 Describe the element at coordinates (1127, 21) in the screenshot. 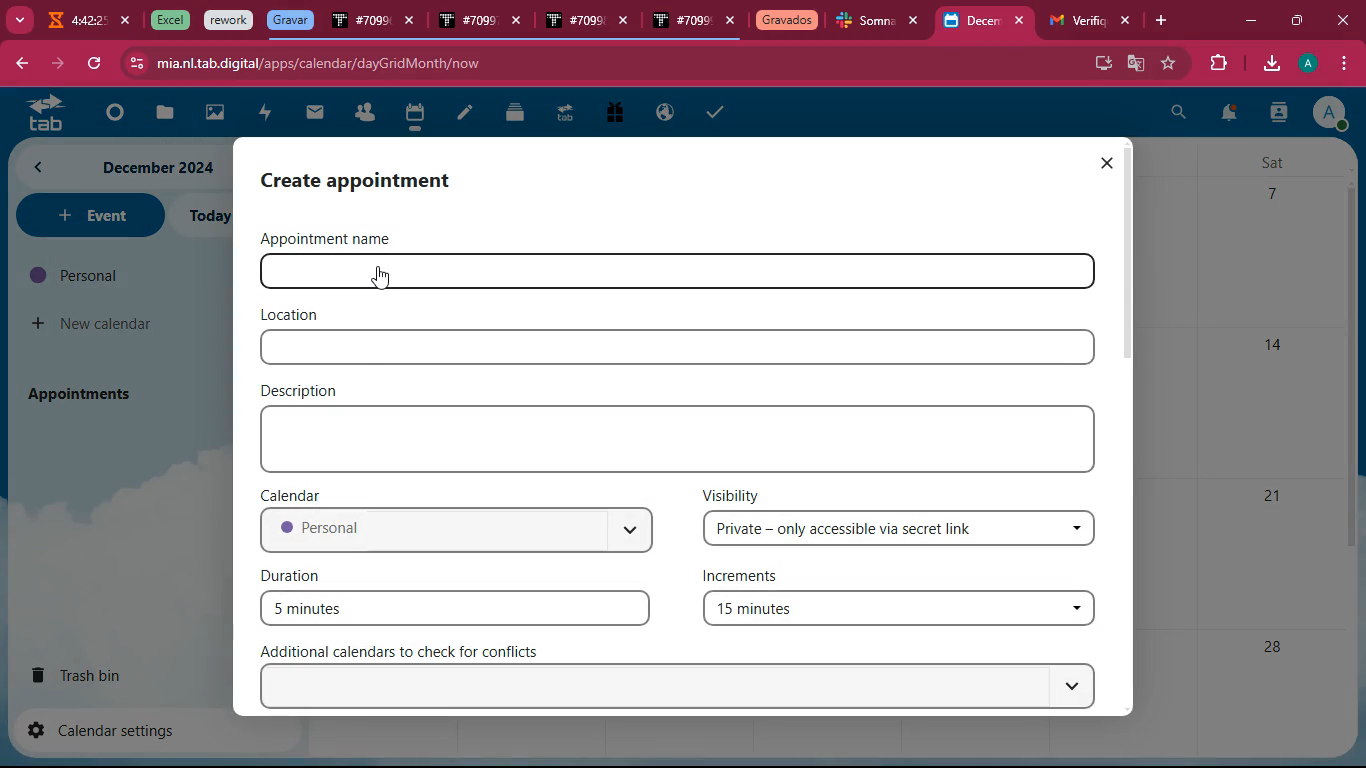

I see `close` at that location.